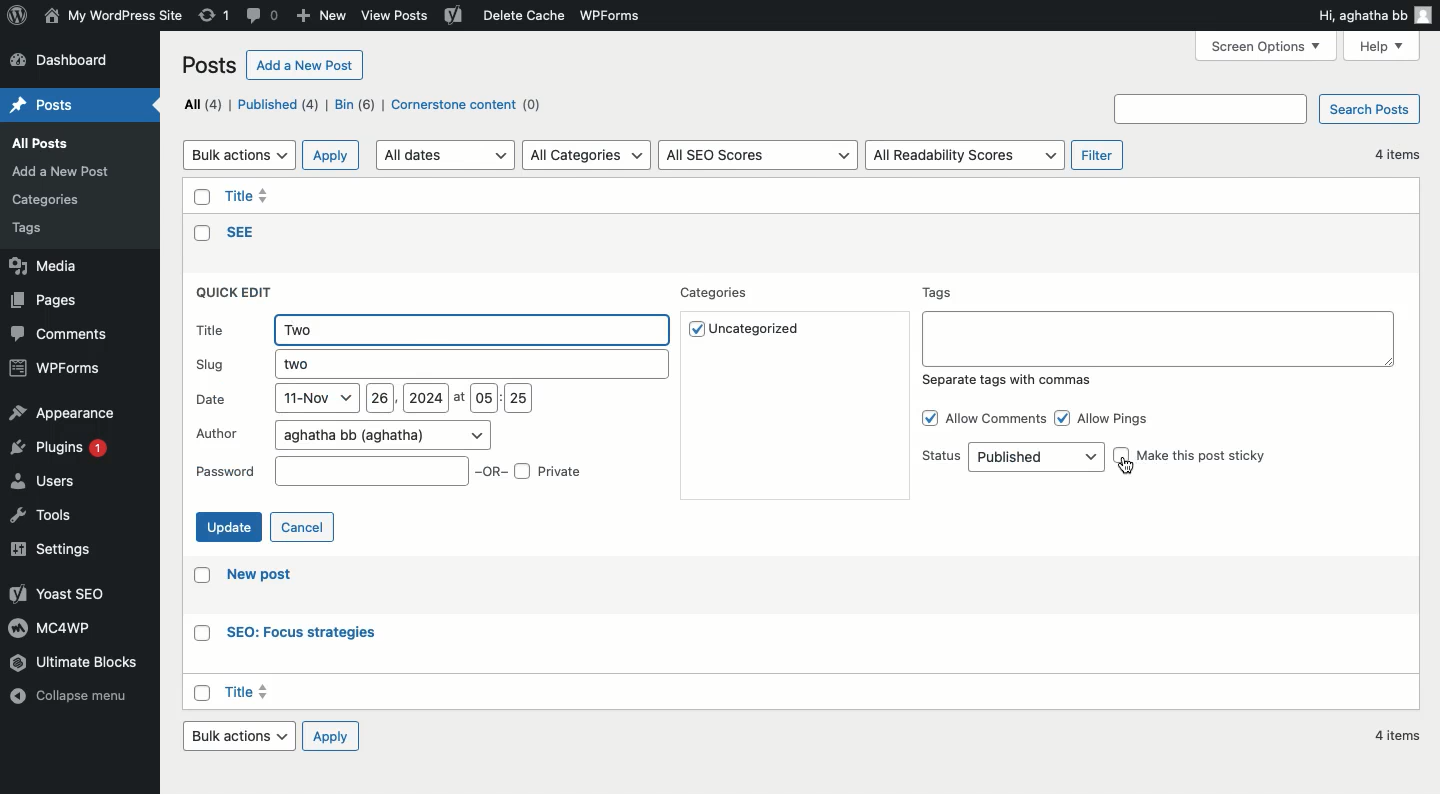 Image resolution: width=1440 pixels, height=794 pixels. What do you see at coordinates (199, 234) in the screenshot?
I see `Checkbox` at bounding box center [199, 234].